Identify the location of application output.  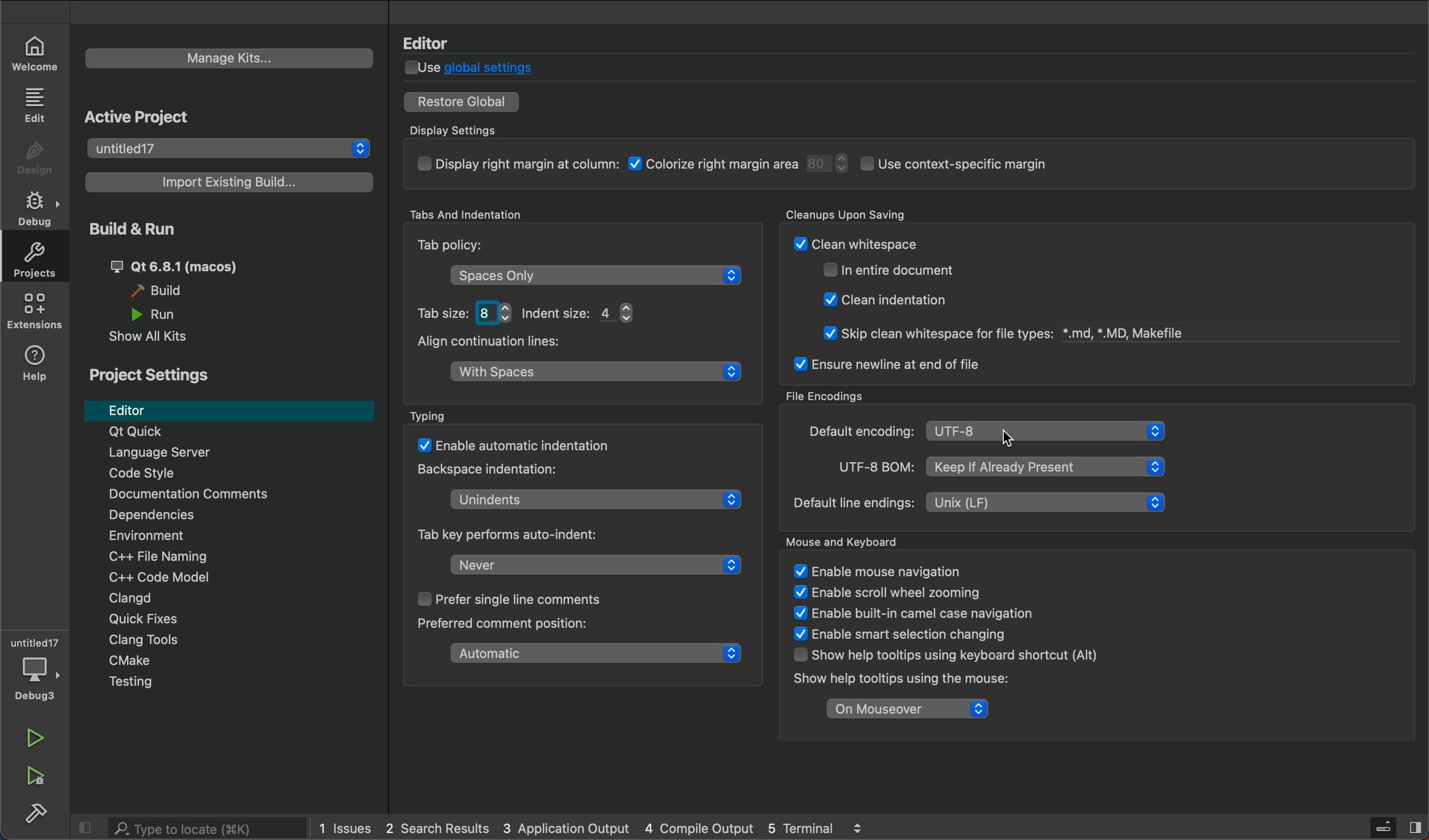
(566, 826).